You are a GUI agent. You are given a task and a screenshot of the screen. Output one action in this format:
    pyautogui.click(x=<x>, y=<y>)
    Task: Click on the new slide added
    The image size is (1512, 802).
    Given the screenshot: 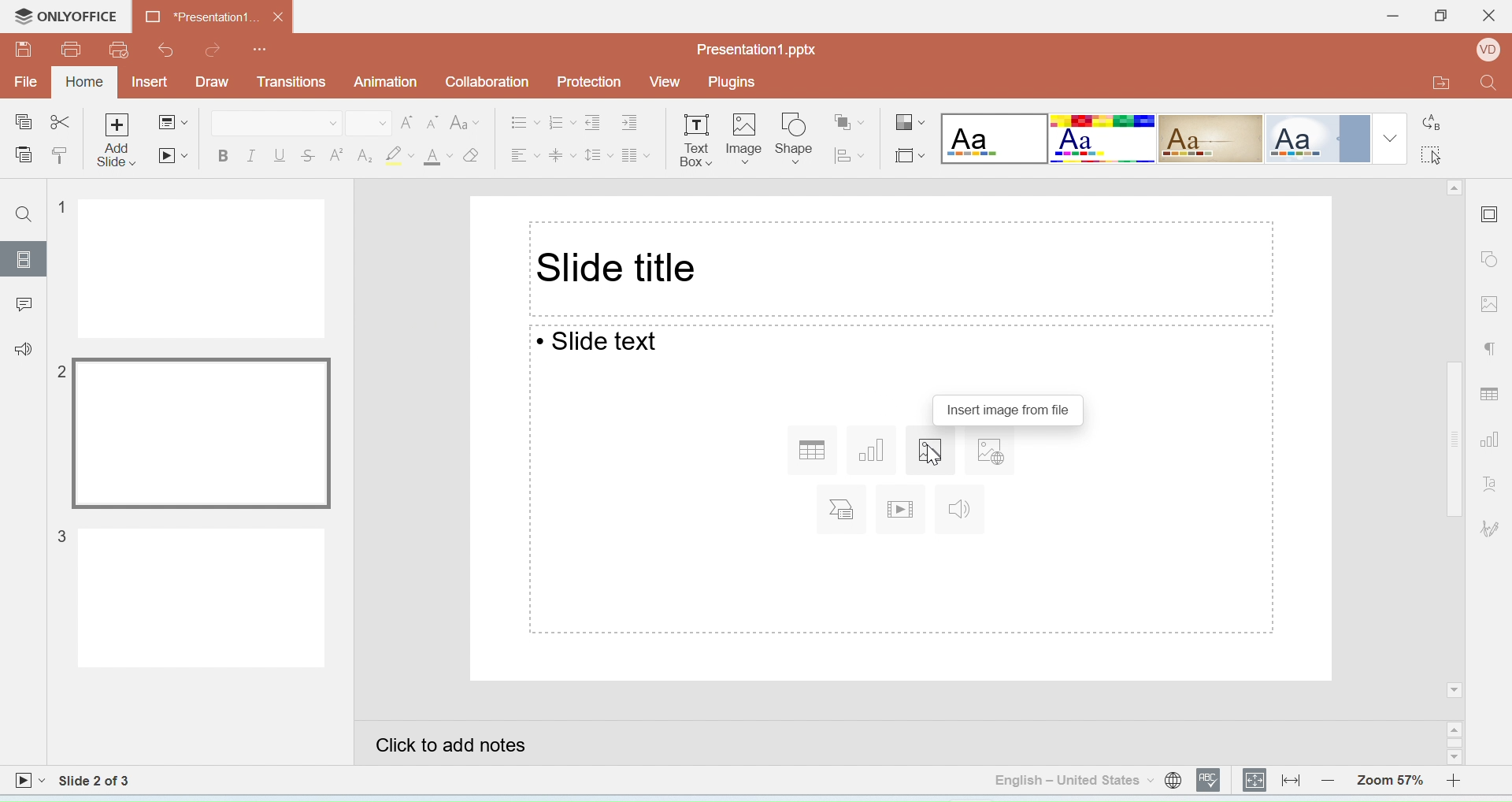 What is the action you would take?
    pyautogui.click(x=191, y=597)
    